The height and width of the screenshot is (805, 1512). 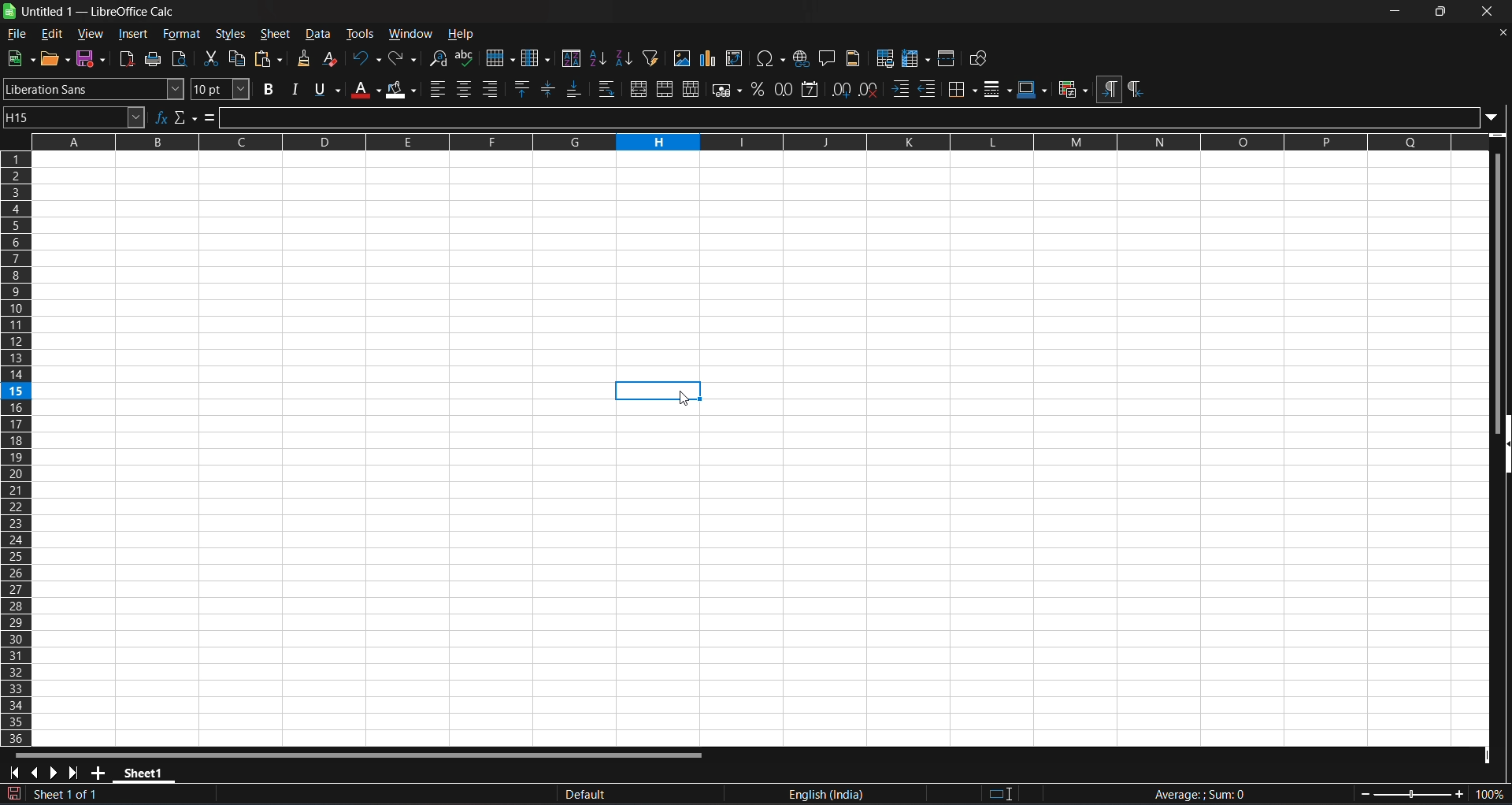 I want to click on copy, so click(x=237, y=58).